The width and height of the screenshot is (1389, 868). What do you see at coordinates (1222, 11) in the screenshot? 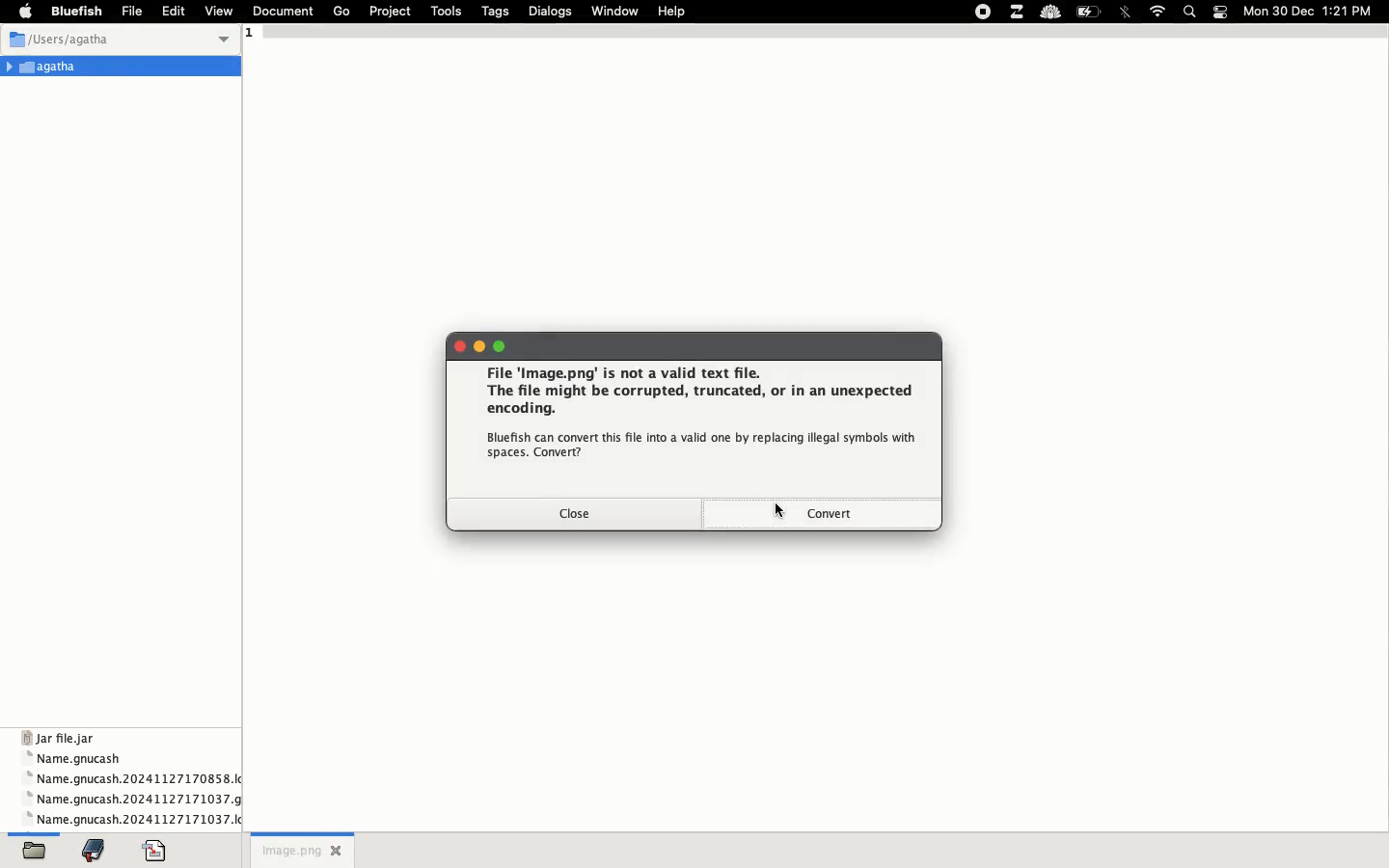
I see `notification` at bounding box center [1222, 11].